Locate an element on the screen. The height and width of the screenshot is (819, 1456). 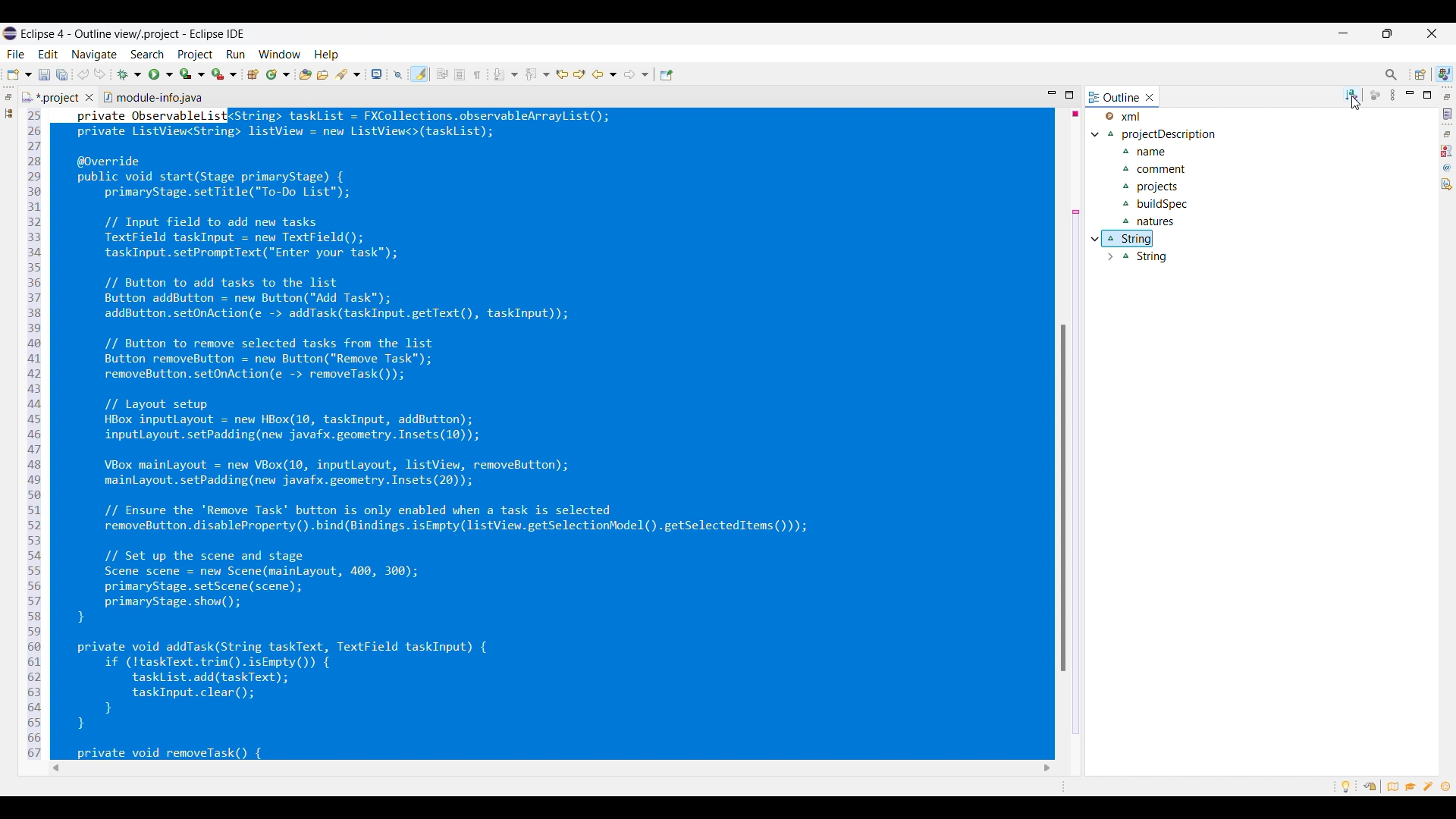
Close tab is located at coordinates (89, 97).